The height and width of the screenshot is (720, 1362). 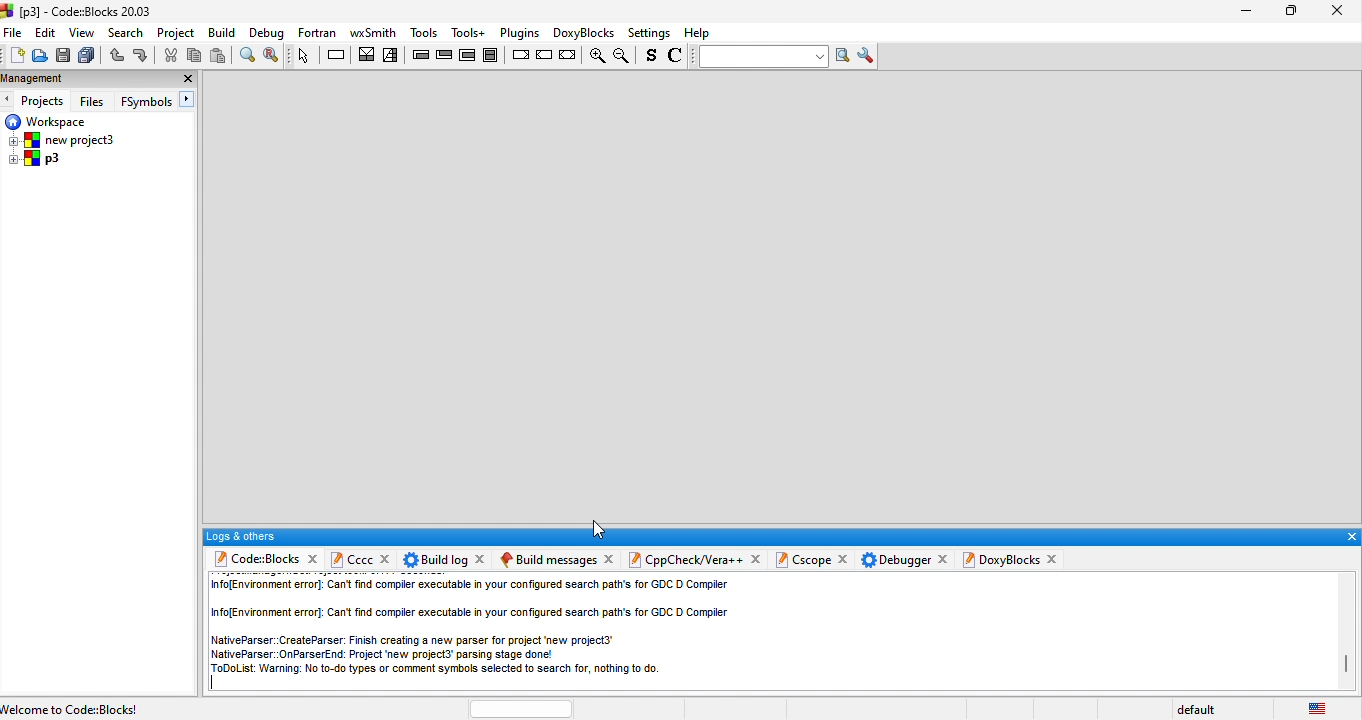 I want to click on doxyblocks, so click(x=1002, y=559).